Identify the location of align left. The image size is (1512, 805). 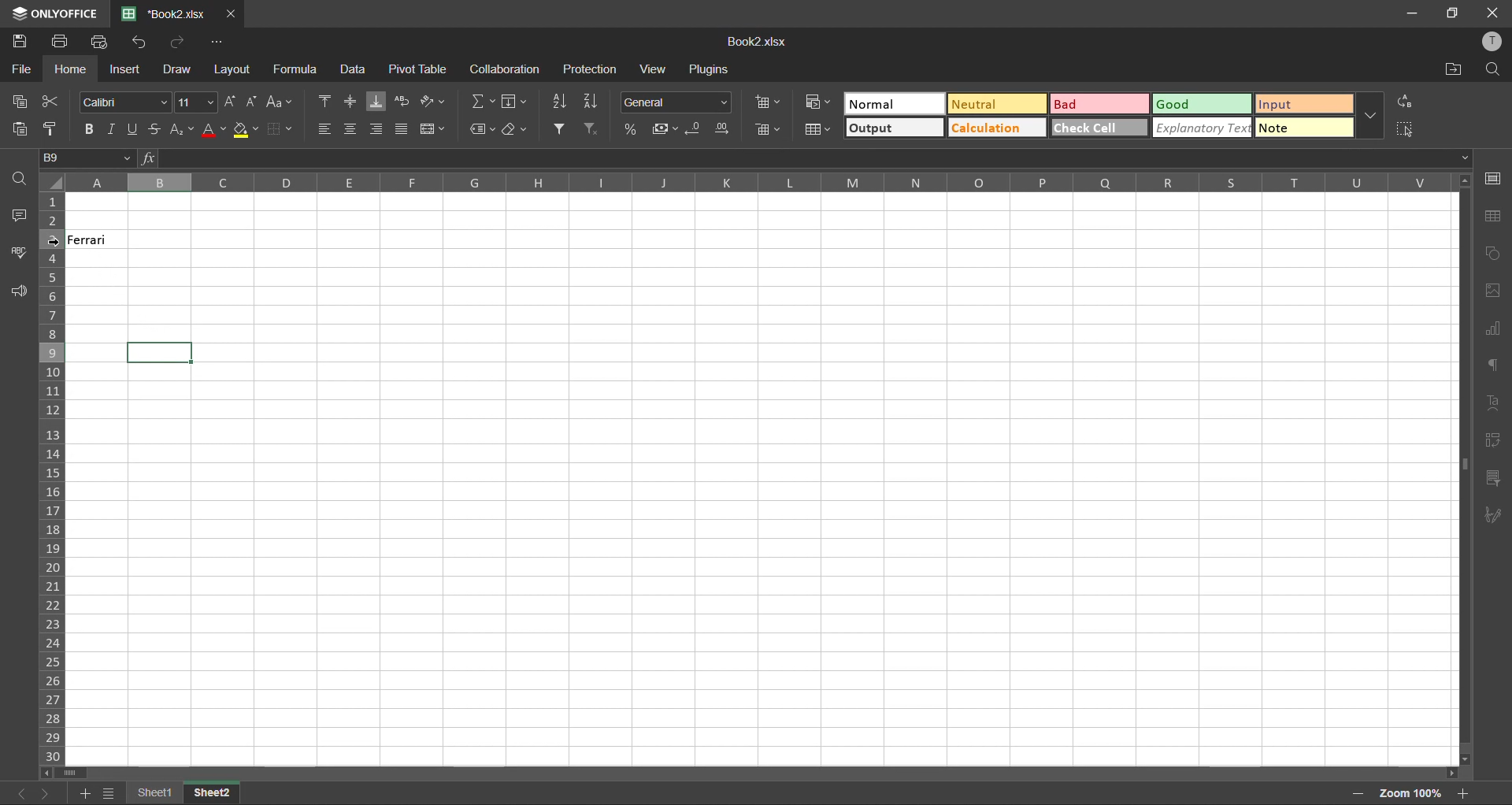
(325, 130).